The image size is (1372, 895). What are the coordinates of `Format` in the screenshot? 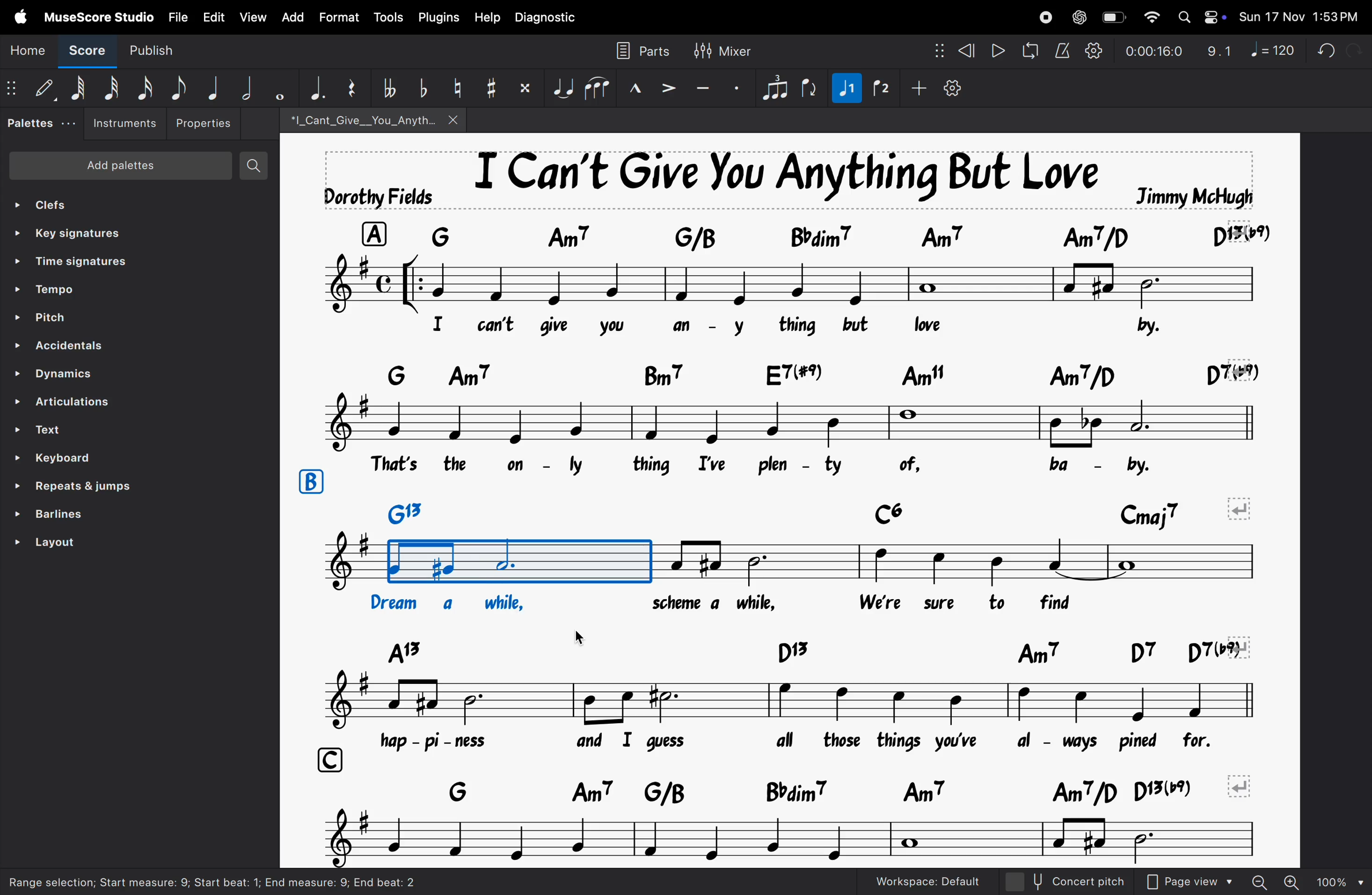 It's located at (337, 18).